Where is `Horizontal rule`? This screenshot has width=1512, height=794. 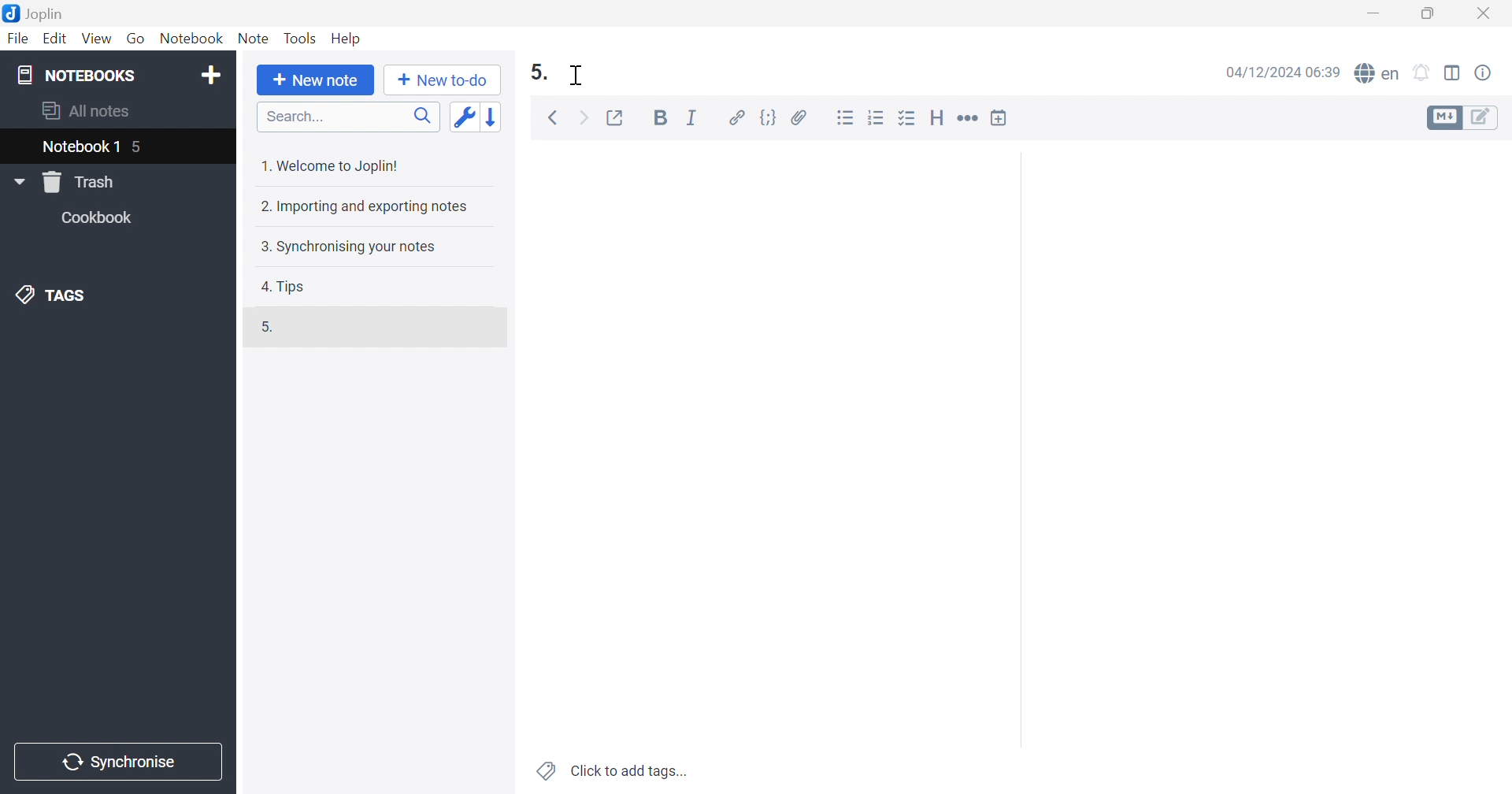 Horizontal rule is located at coordinates (969, 118).